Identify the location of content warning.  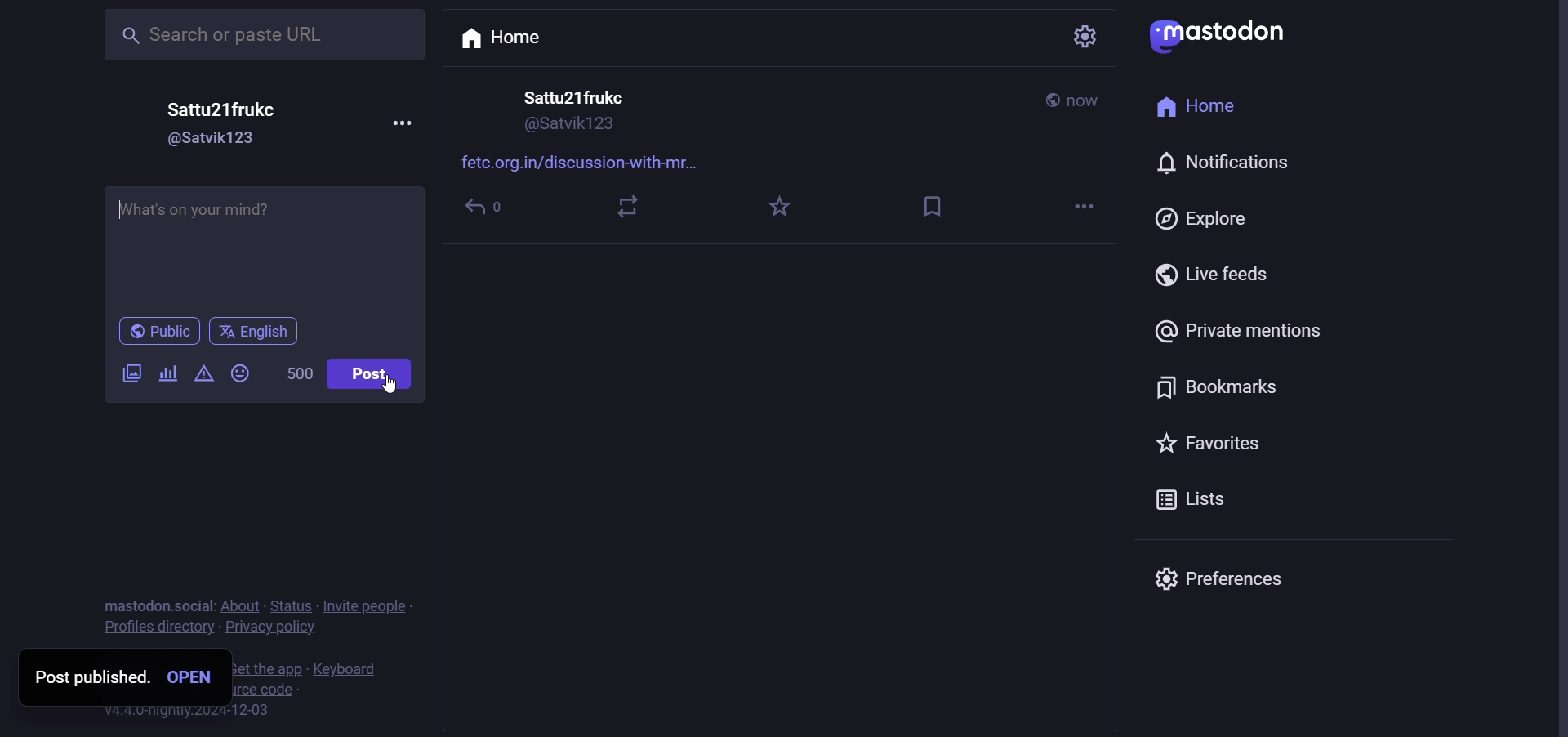
(202, 375).